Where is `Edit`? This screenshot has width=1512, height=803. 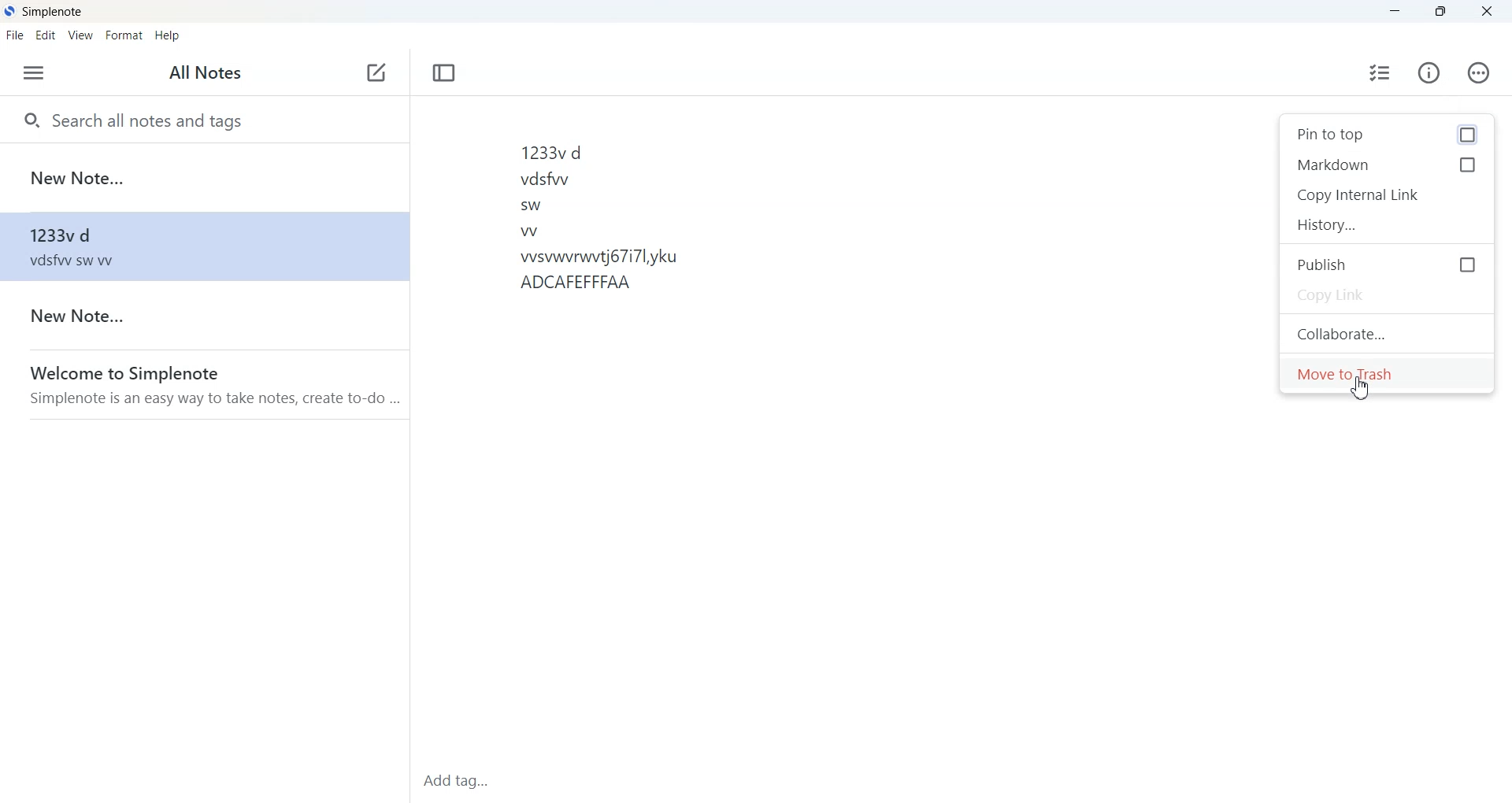 Edit is located at coordinates (46, 36).